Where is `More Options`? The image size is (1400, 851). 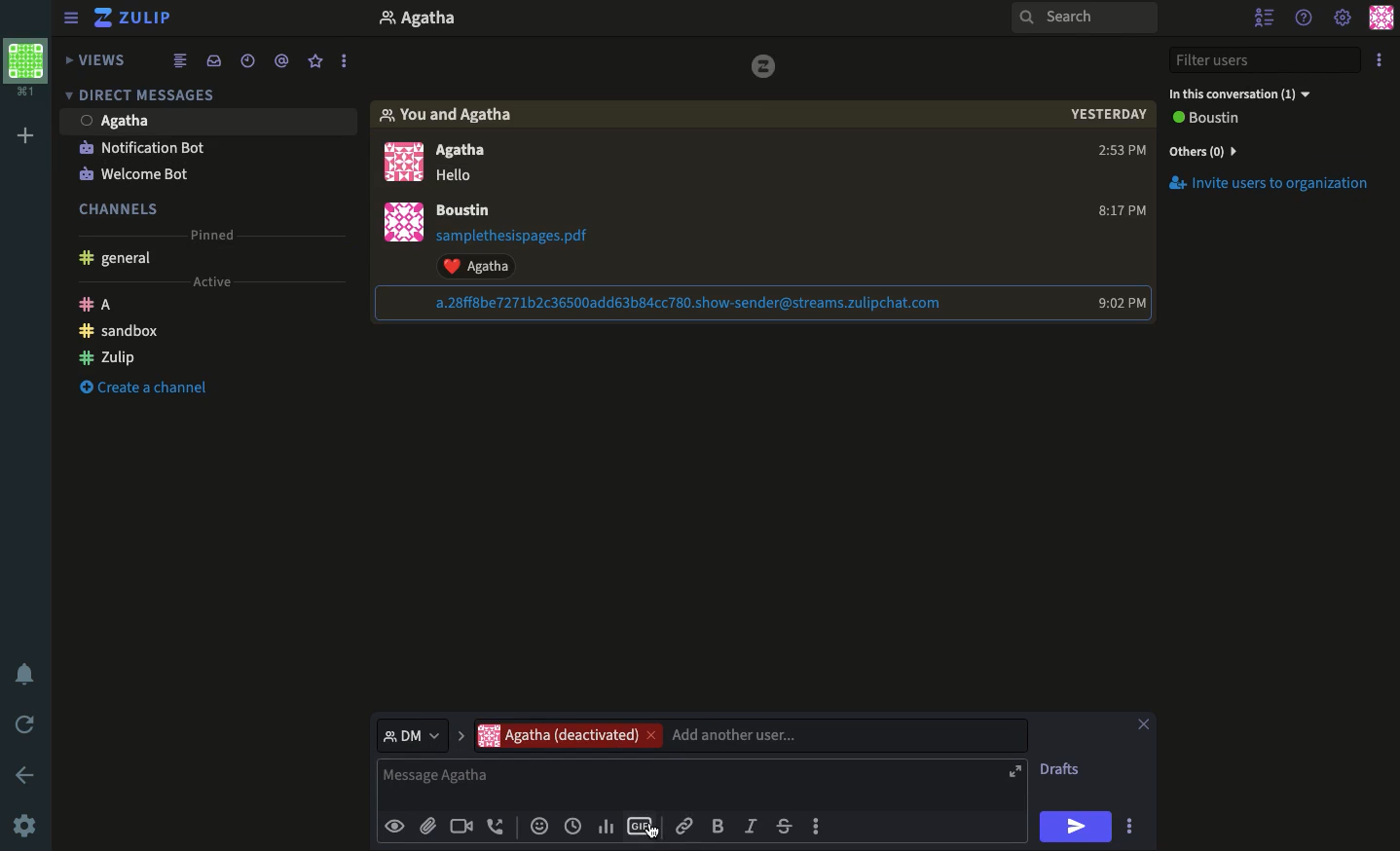
More Options is located at coordinates (1135, 823).